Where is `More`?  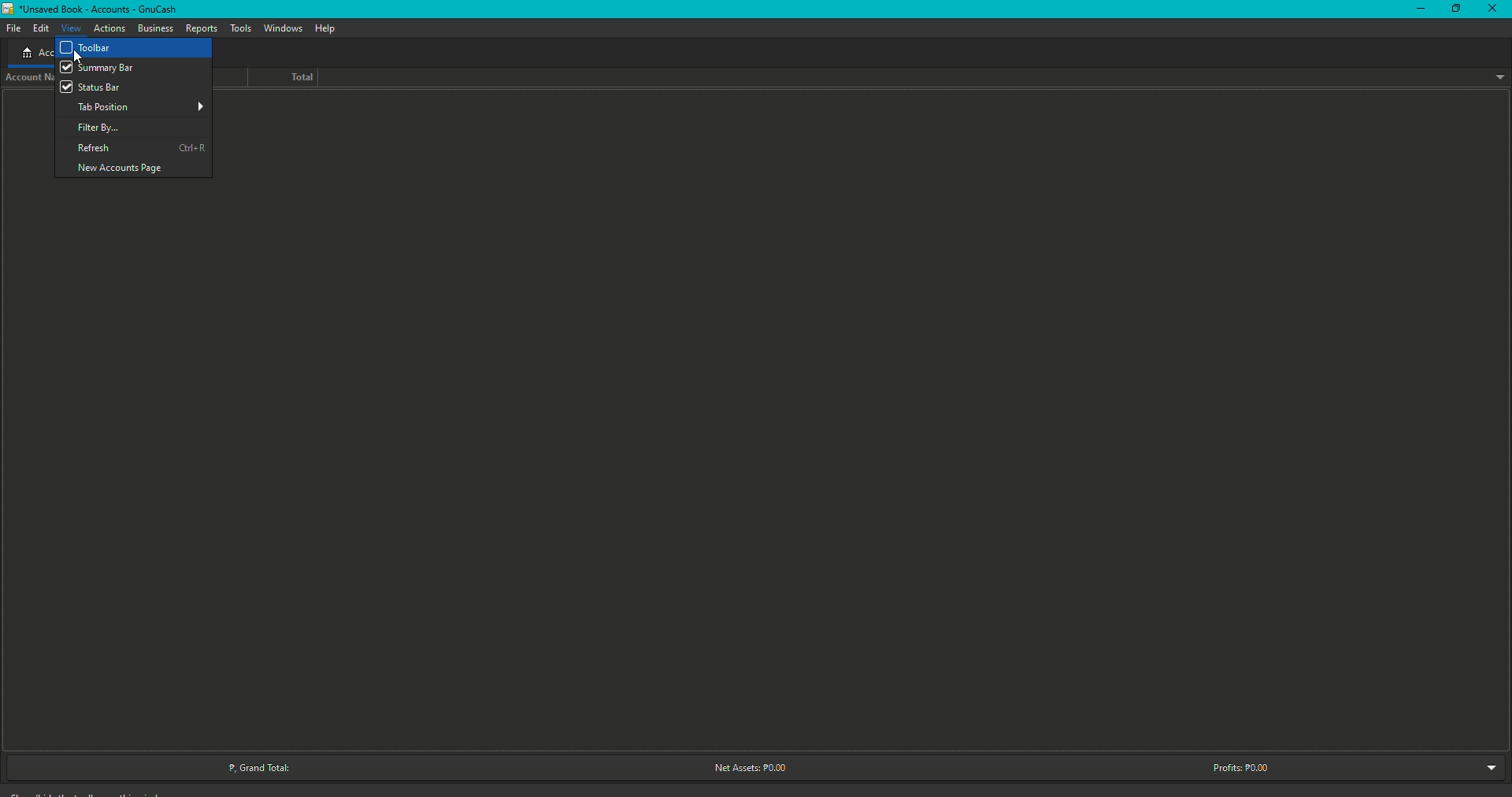 More is located at coordinates (200, 105).